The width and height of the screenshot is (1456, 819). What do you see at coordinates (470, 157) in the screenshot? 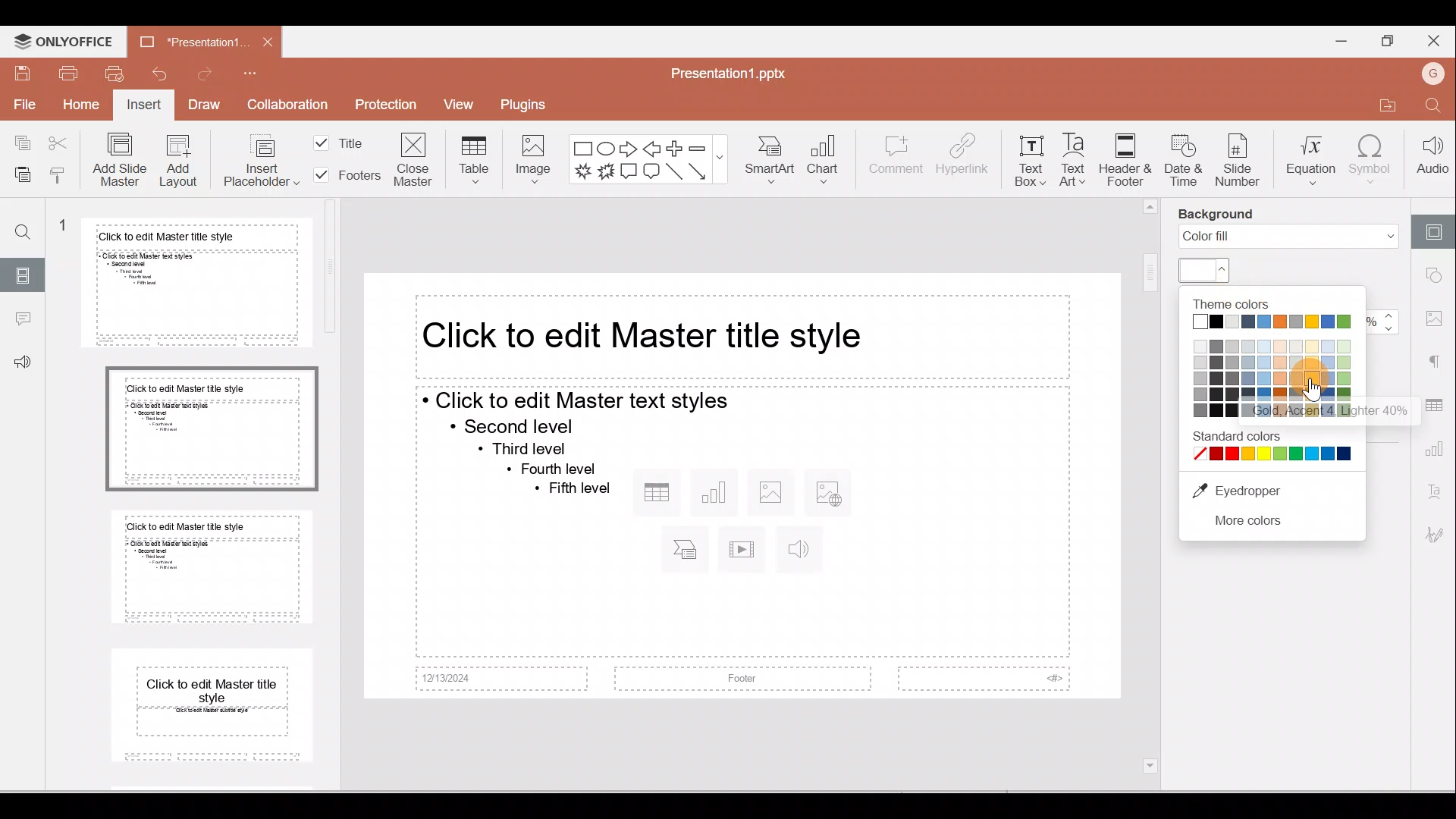
I see `Table` at bounding box center [470, 157].